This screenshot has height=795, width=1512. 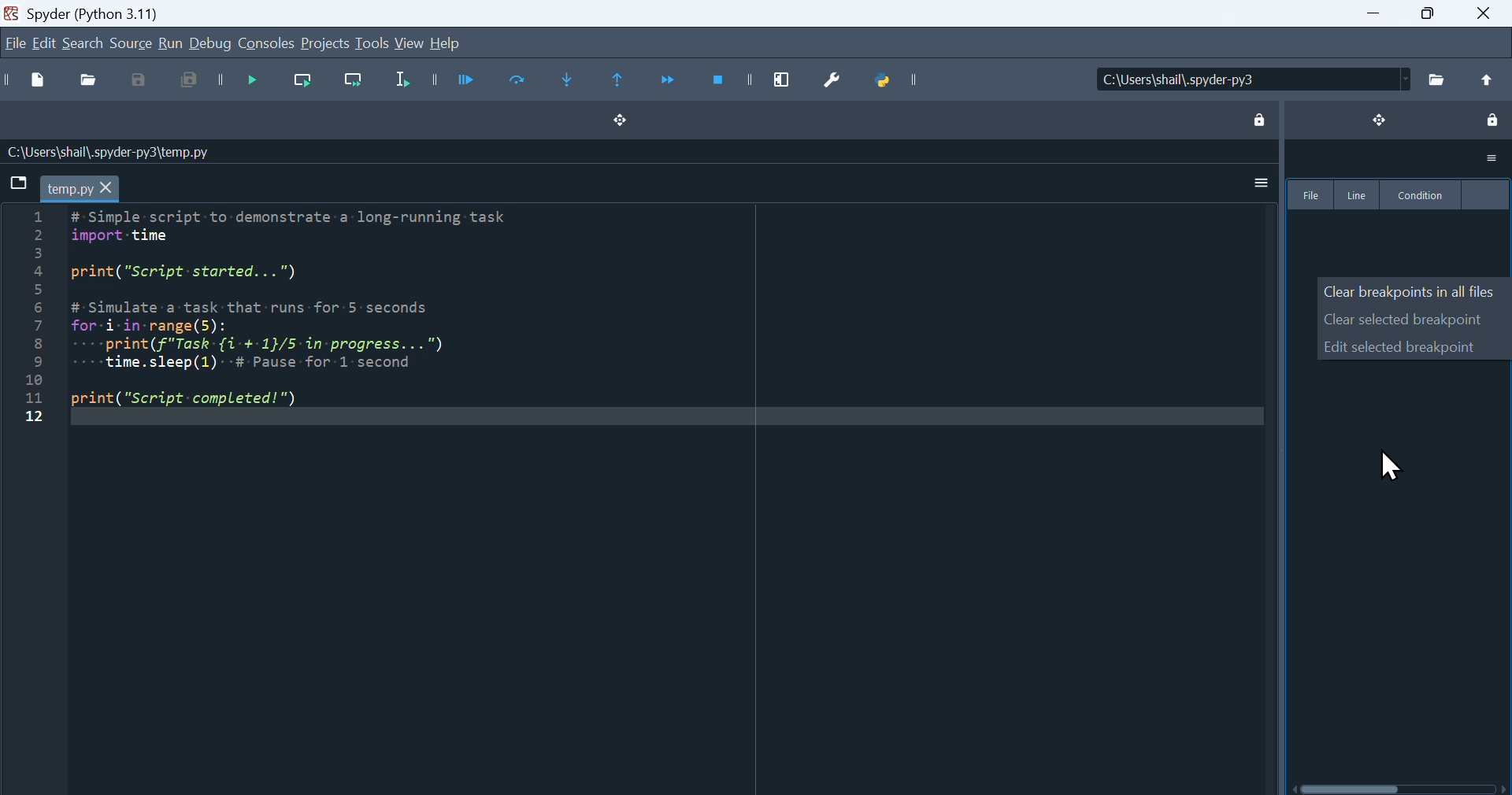 I want to click on Run current line and go to the next one, so click(x=354, y=81).